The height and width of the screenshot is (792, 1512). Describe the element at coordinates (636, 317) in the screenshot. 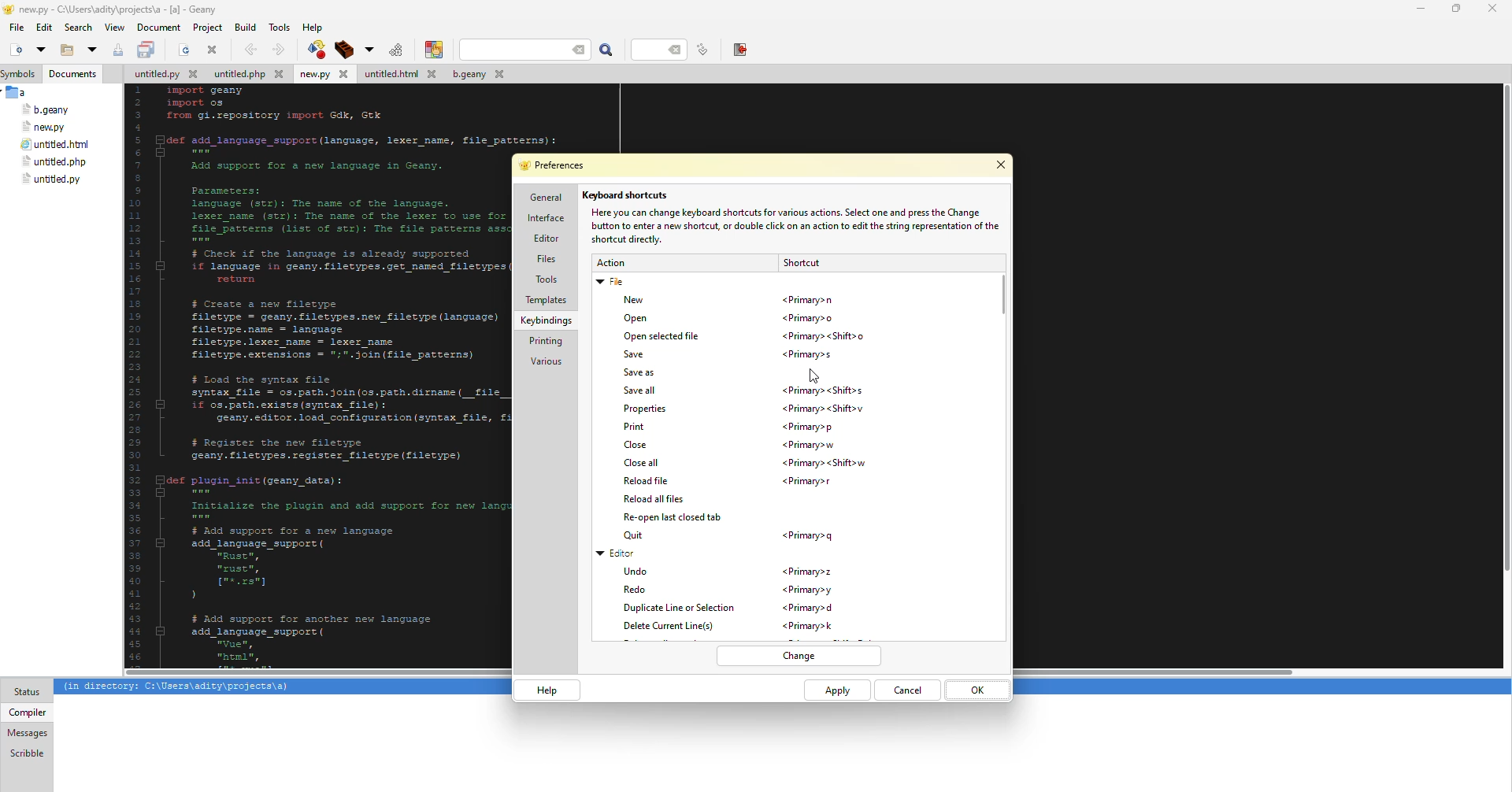

I see `open` at that location.